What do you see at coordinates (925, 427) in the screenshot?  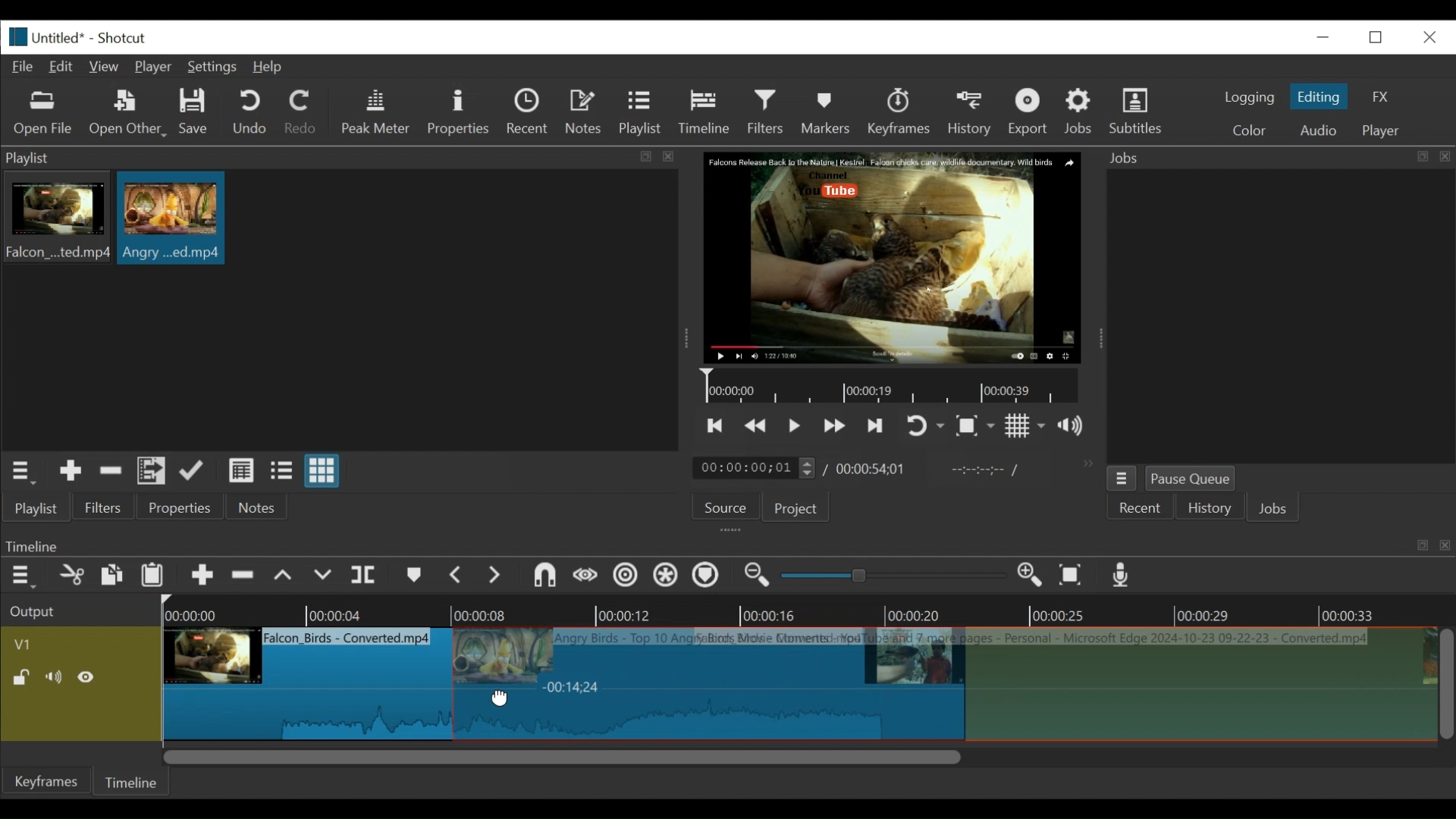 I see `toggle player looping` at bounding box center [925, 427].